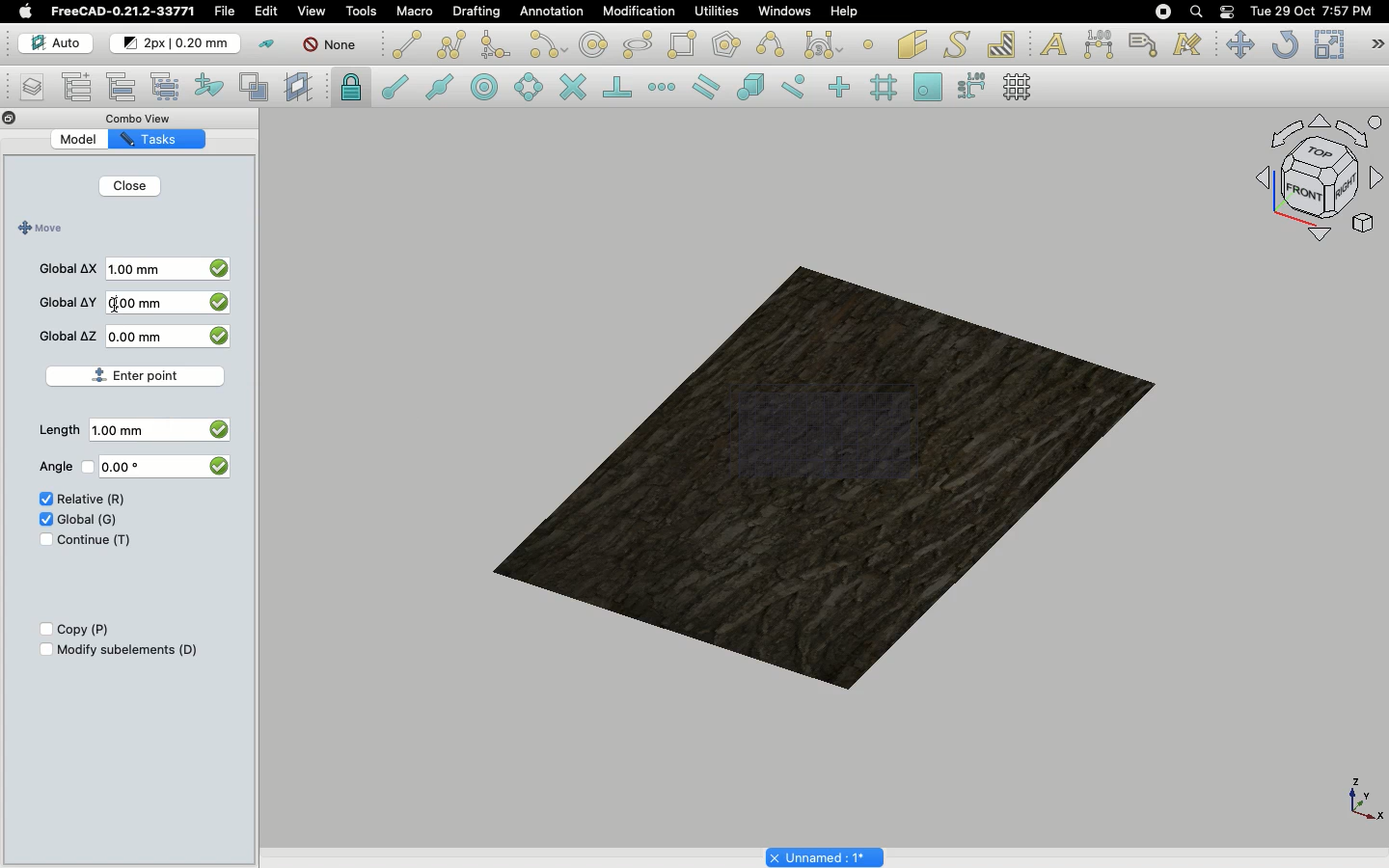 The height and width of the screenshot is (868, 1389). I want to click on Snap near, so click(799, 87).